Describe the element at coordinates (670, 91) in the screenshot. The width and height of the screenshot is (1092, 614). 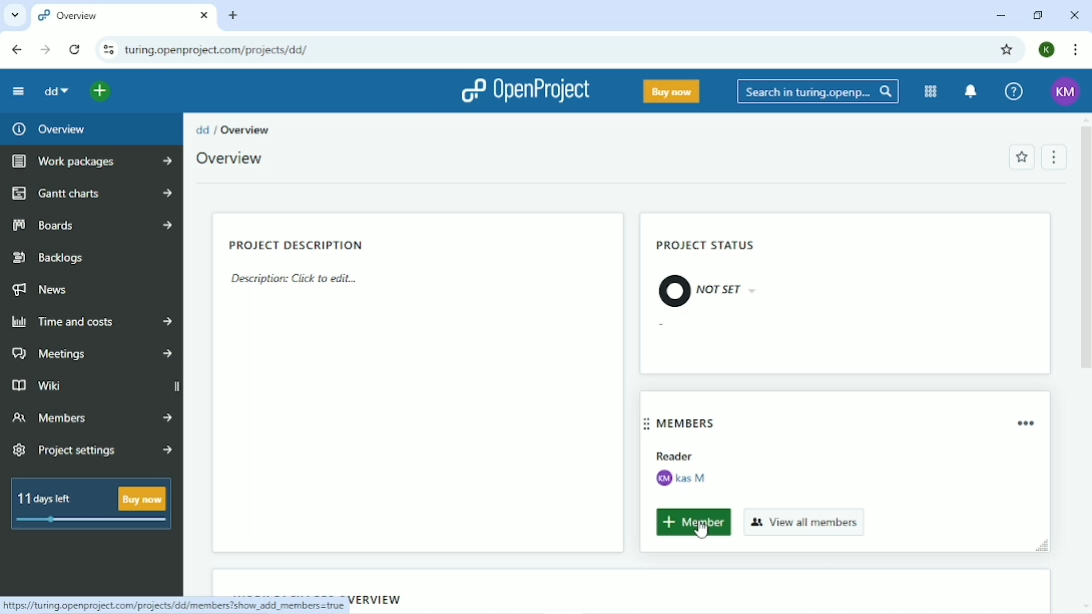
I see `Buy now` at that location.